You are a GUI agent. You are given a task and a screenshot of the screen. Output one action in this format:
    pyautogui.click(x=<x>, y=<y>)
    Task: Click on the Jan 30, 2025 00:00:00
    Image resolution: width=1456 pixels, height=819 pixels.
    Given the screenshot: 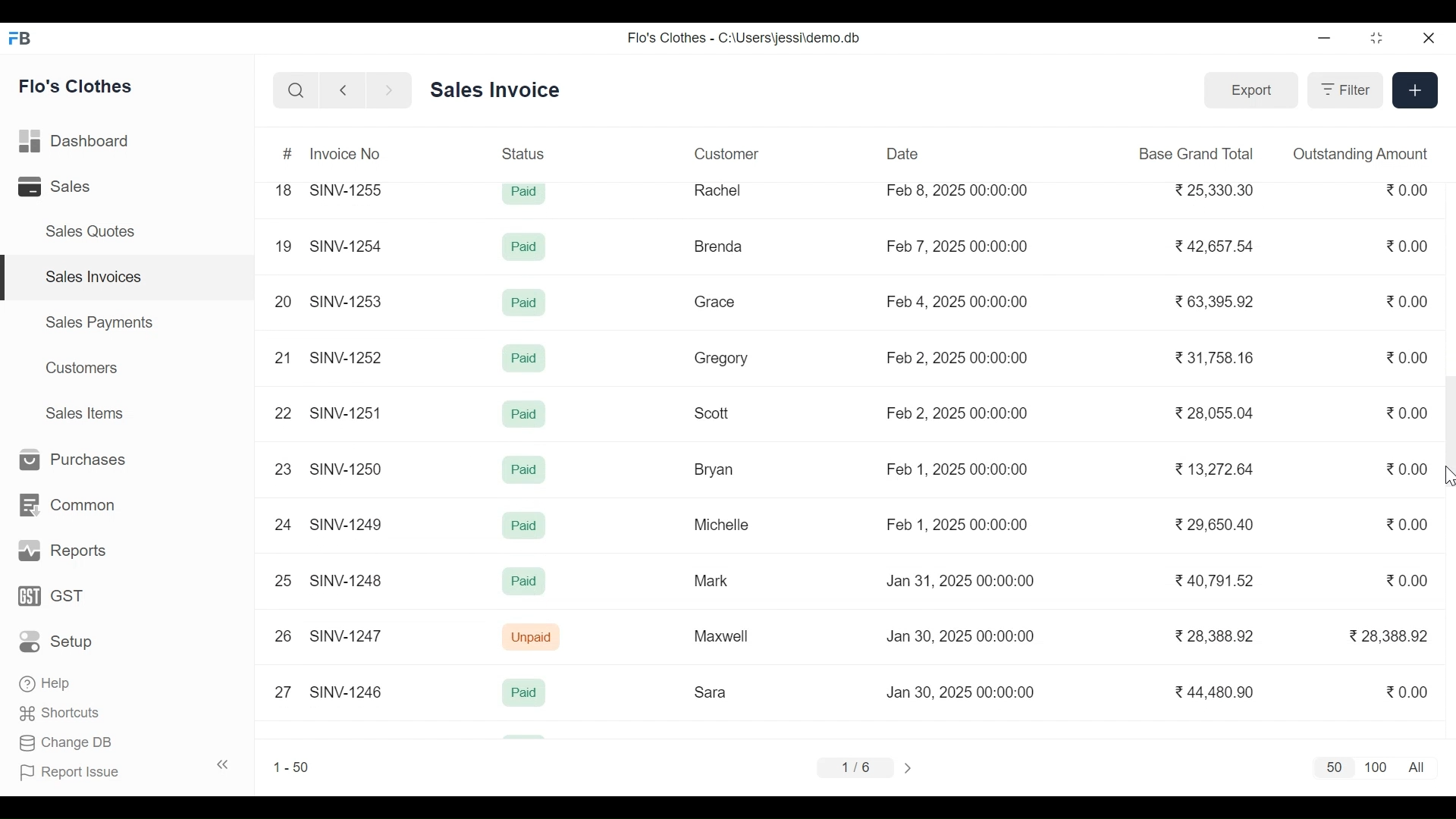 What is the action you would take?
    pyautogui.click(x=963, y=692)
    